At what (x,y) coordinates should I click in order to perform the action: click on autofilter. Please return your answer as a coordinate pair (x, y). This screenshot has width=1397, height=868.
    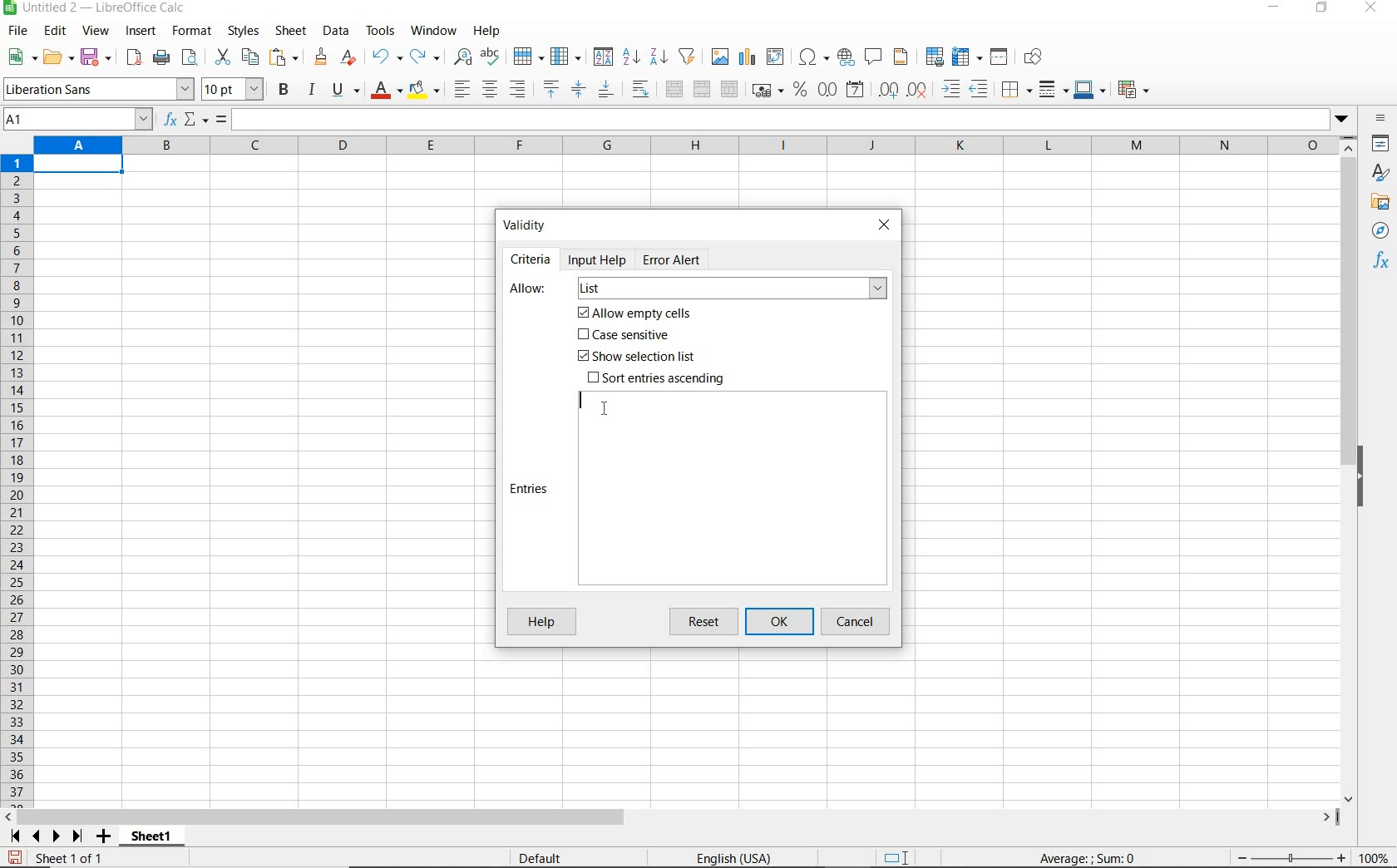
    Looking at the image, I should click on (686, 57).